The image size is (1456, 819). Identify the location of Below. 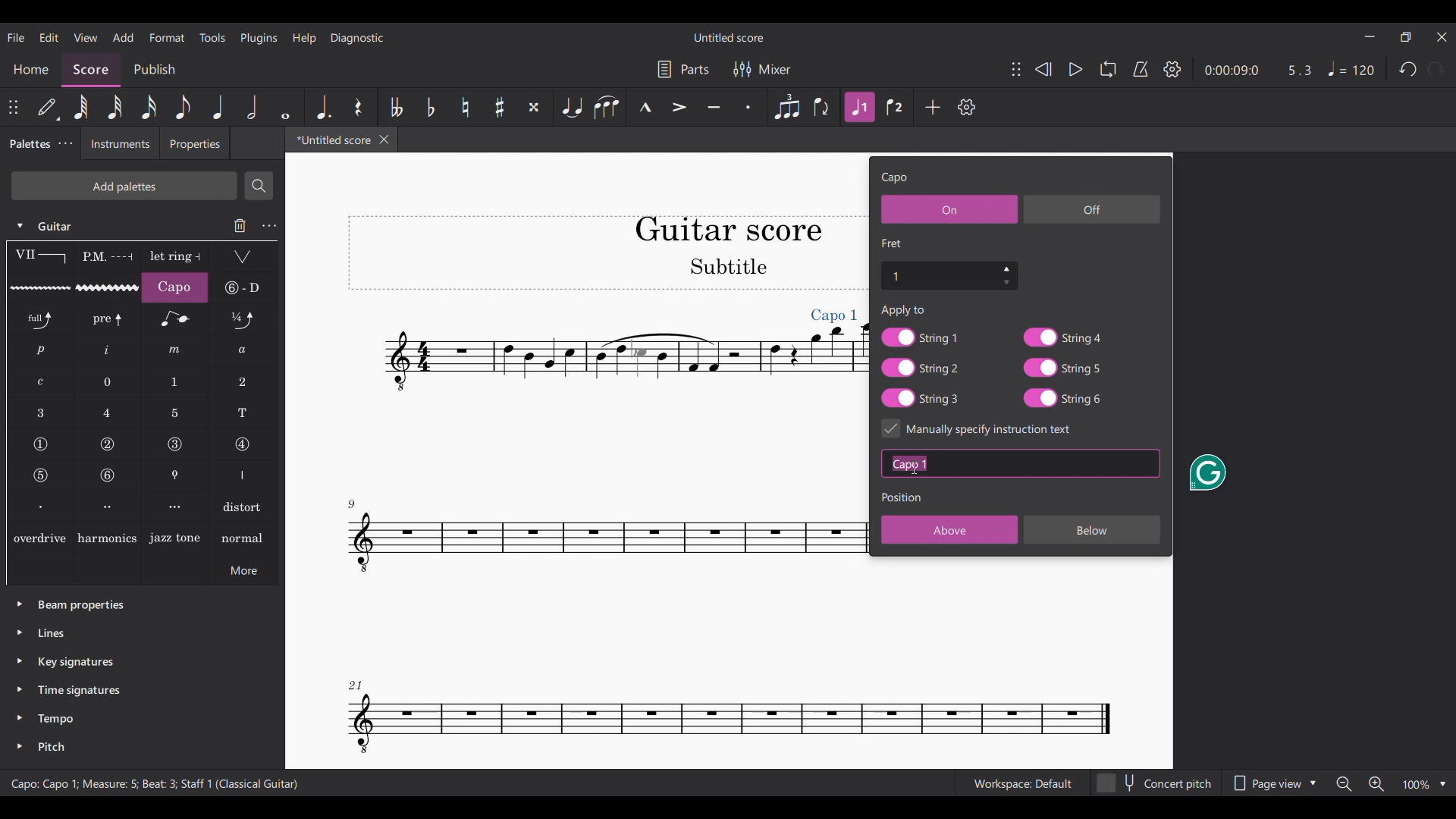
(1093, 529).